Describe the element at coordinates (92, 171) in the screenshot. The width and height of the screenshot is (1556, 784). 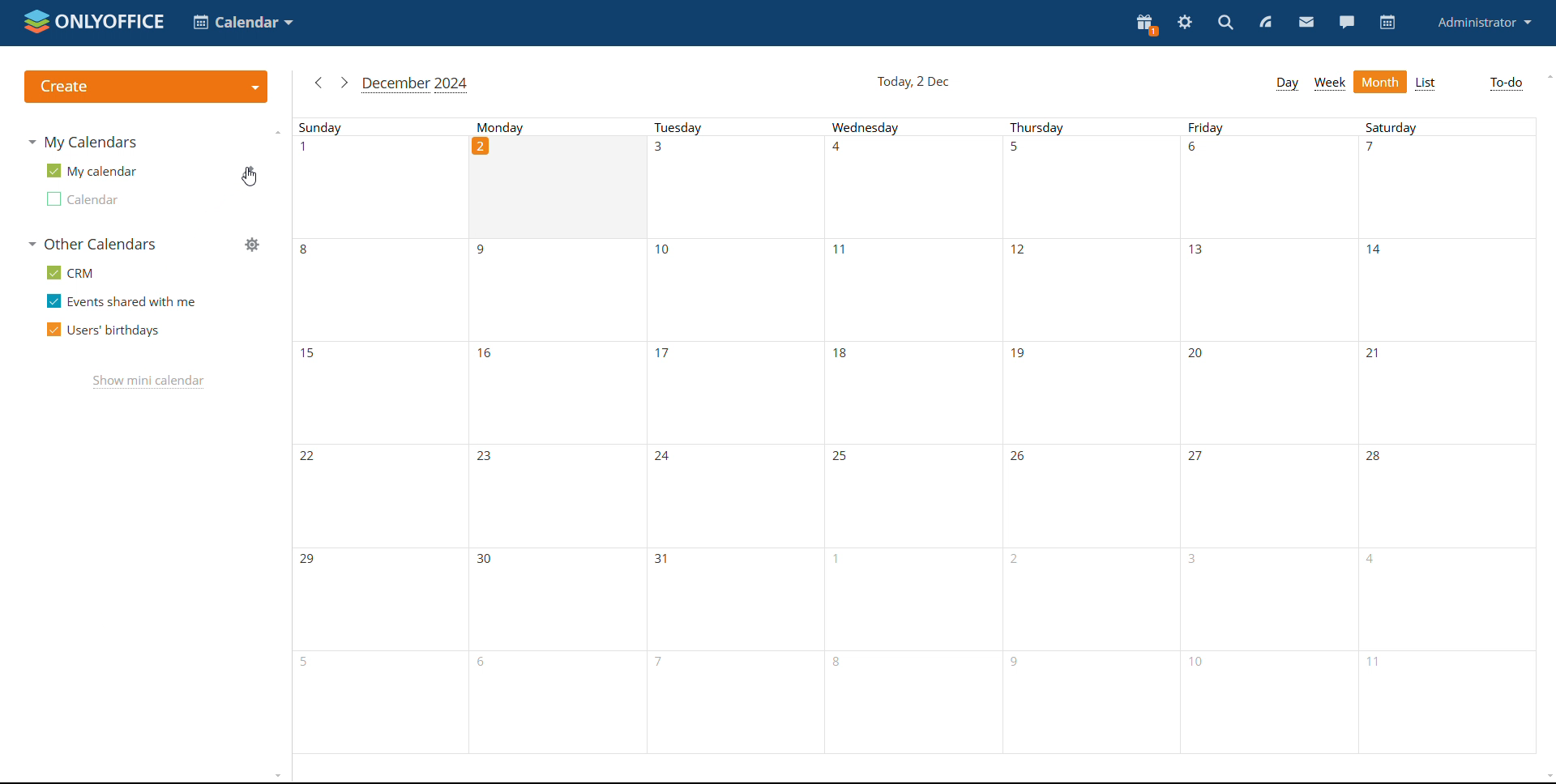
I see `my calendar` at that location.